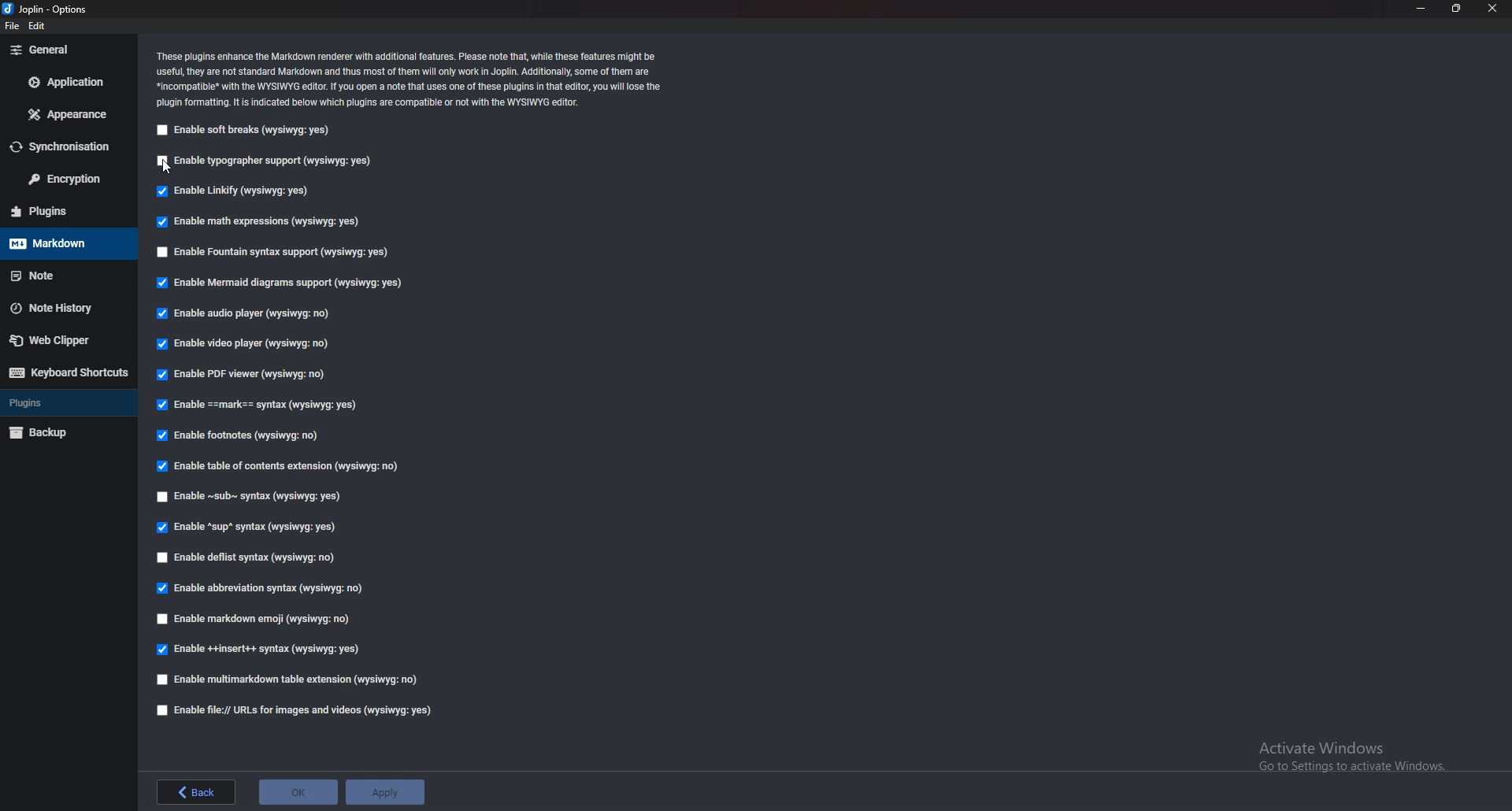 This screenshot has height=811, width=1512. What do you see at coordinates (299, 791) in the screenshot?
I see `ok` at bounding box center [299, 791].